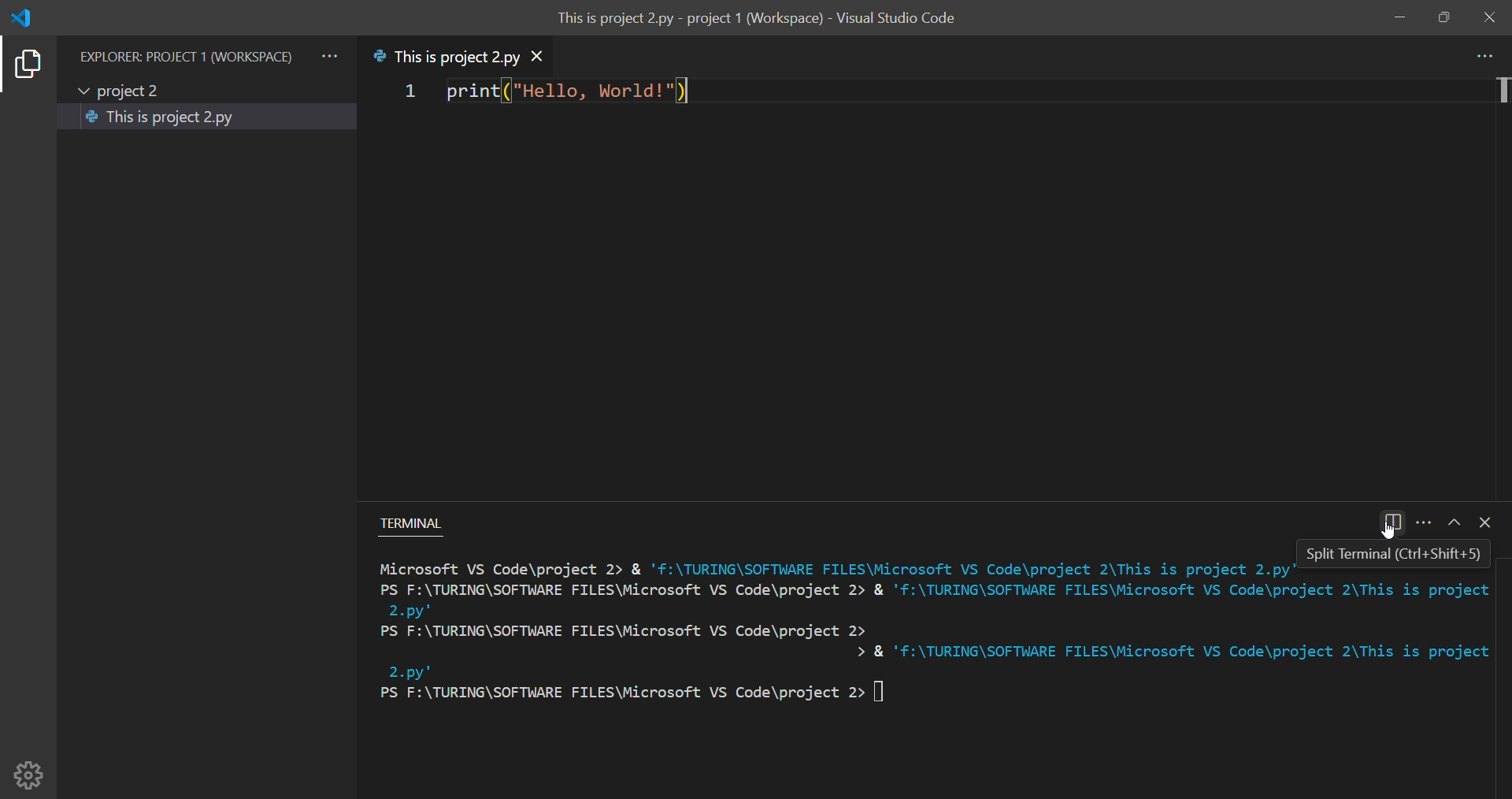  I want to click on more options, so click(1422, 522).